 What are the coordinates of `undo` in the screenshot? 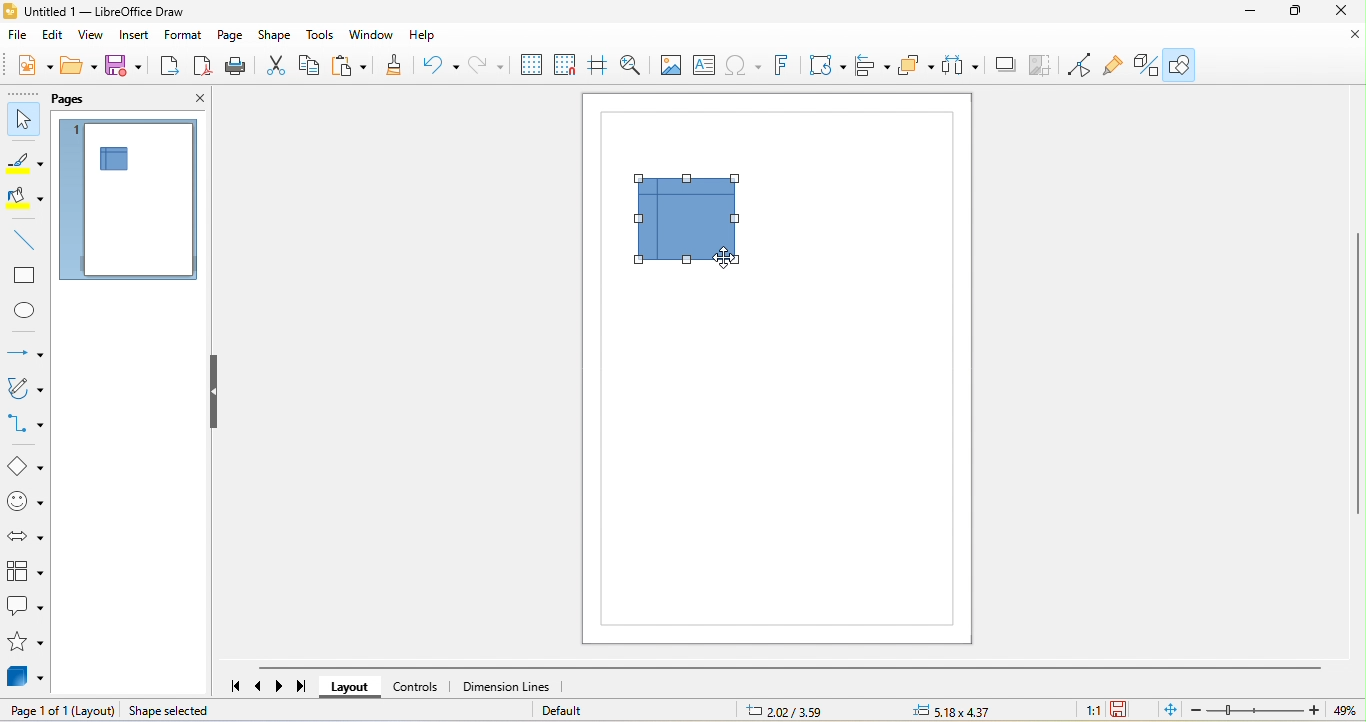 It's located at (441, 66).